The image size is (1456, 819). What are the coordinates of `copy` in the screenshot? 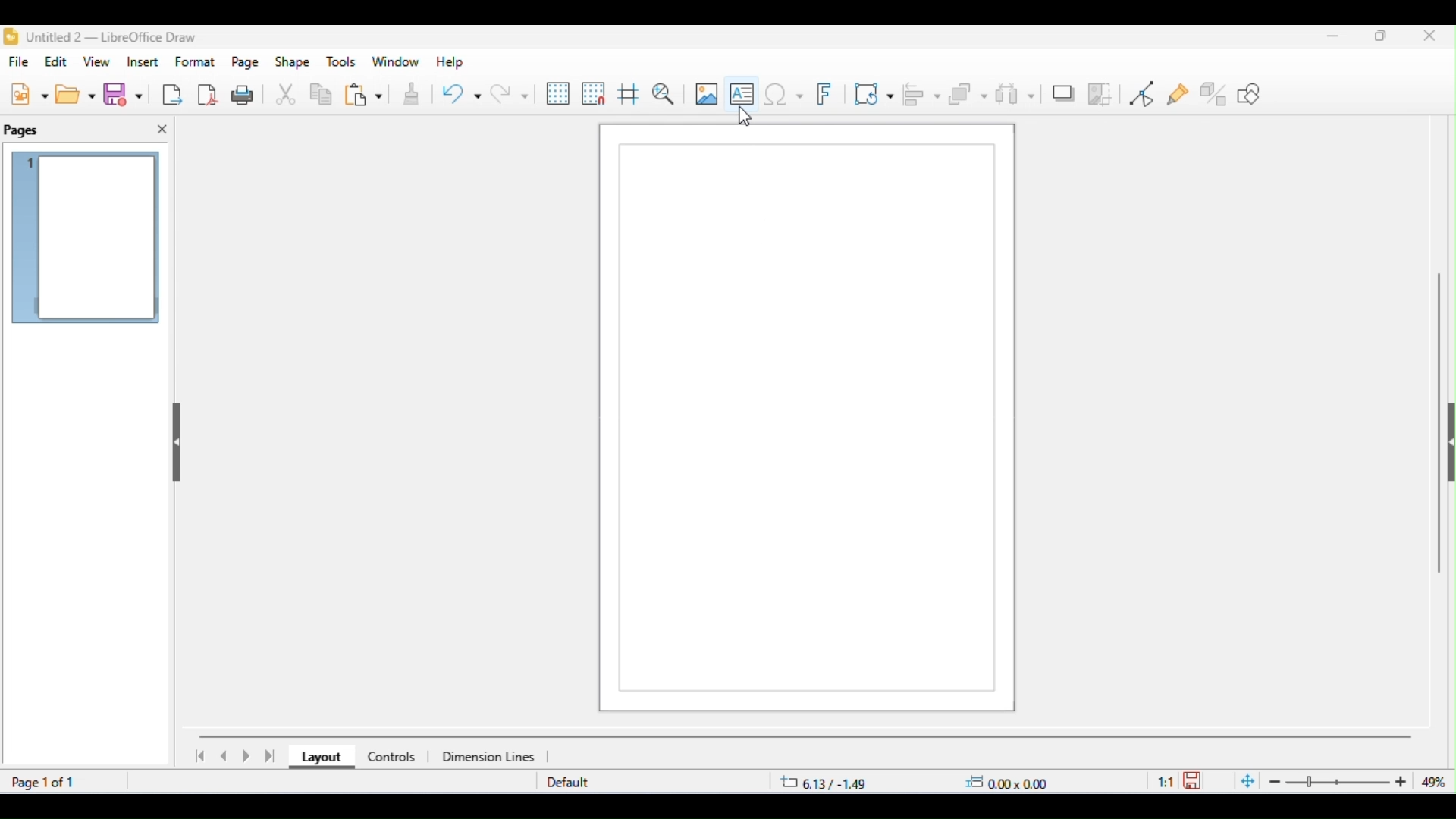 It's located at (322, 96).